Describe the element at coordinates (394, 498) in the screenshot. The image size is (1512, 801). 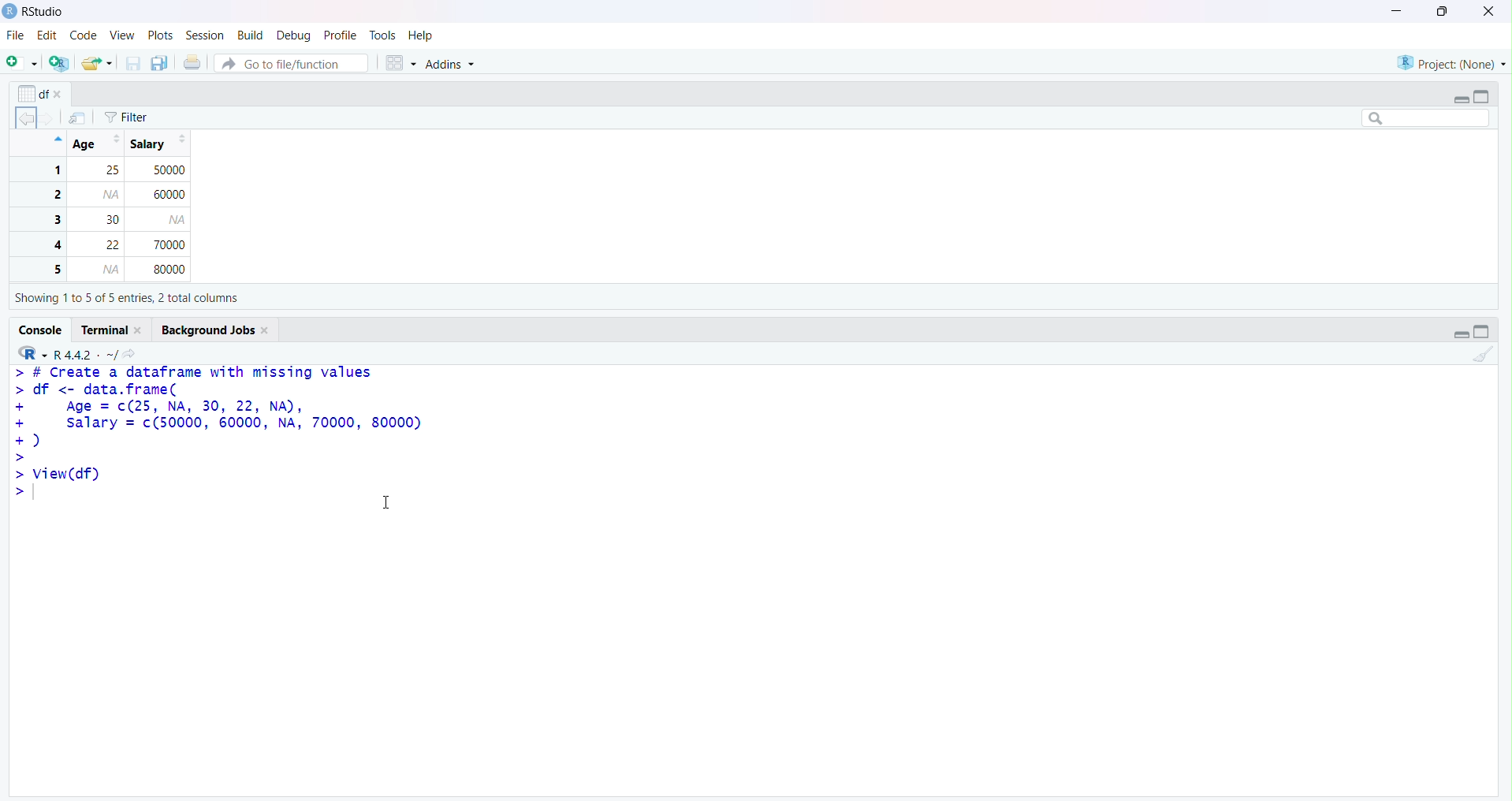
I see `Text cursor` at that location.